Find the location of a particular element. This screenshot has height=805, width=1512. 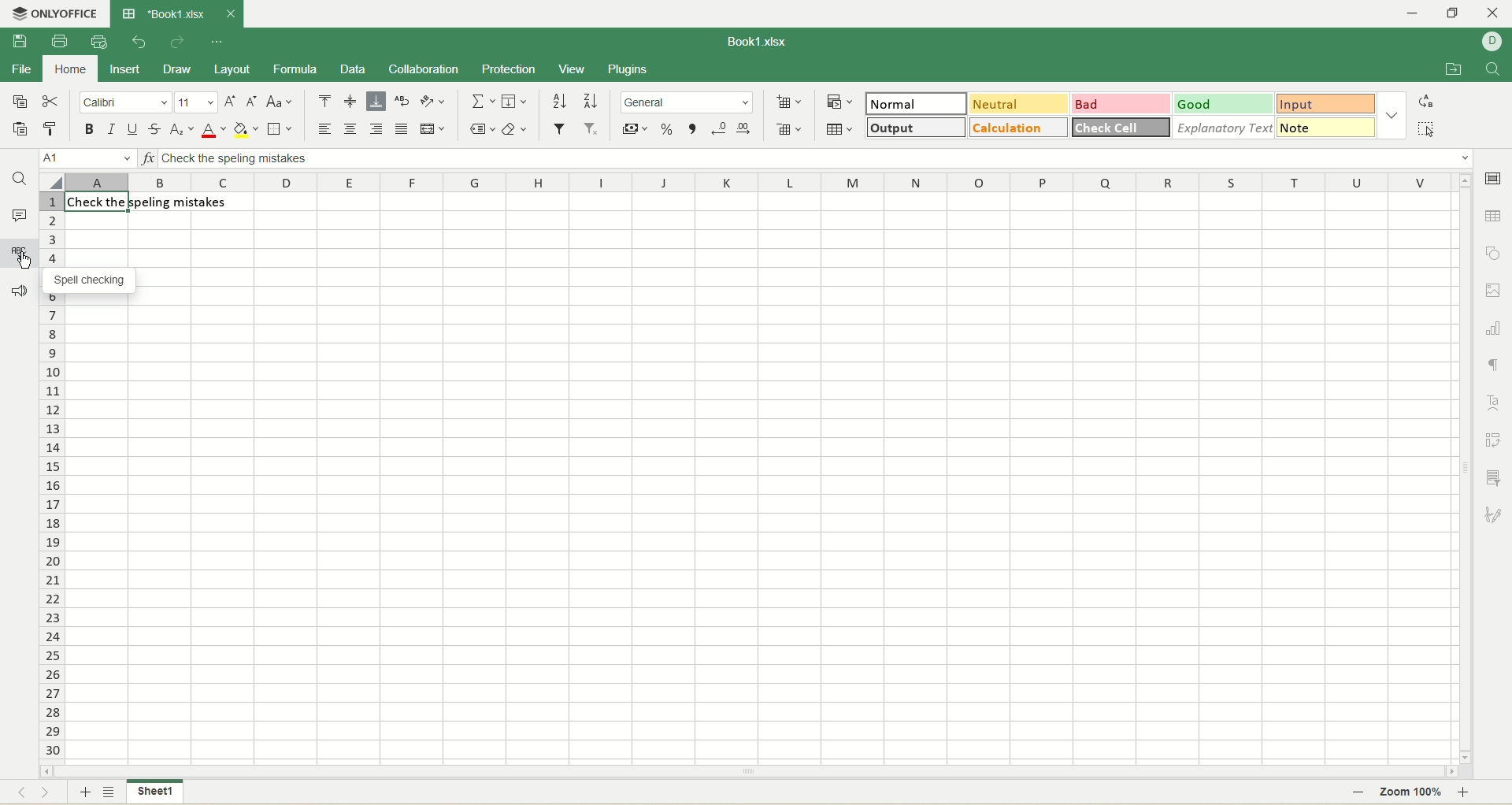

good is located at coordinates (1223, 104).